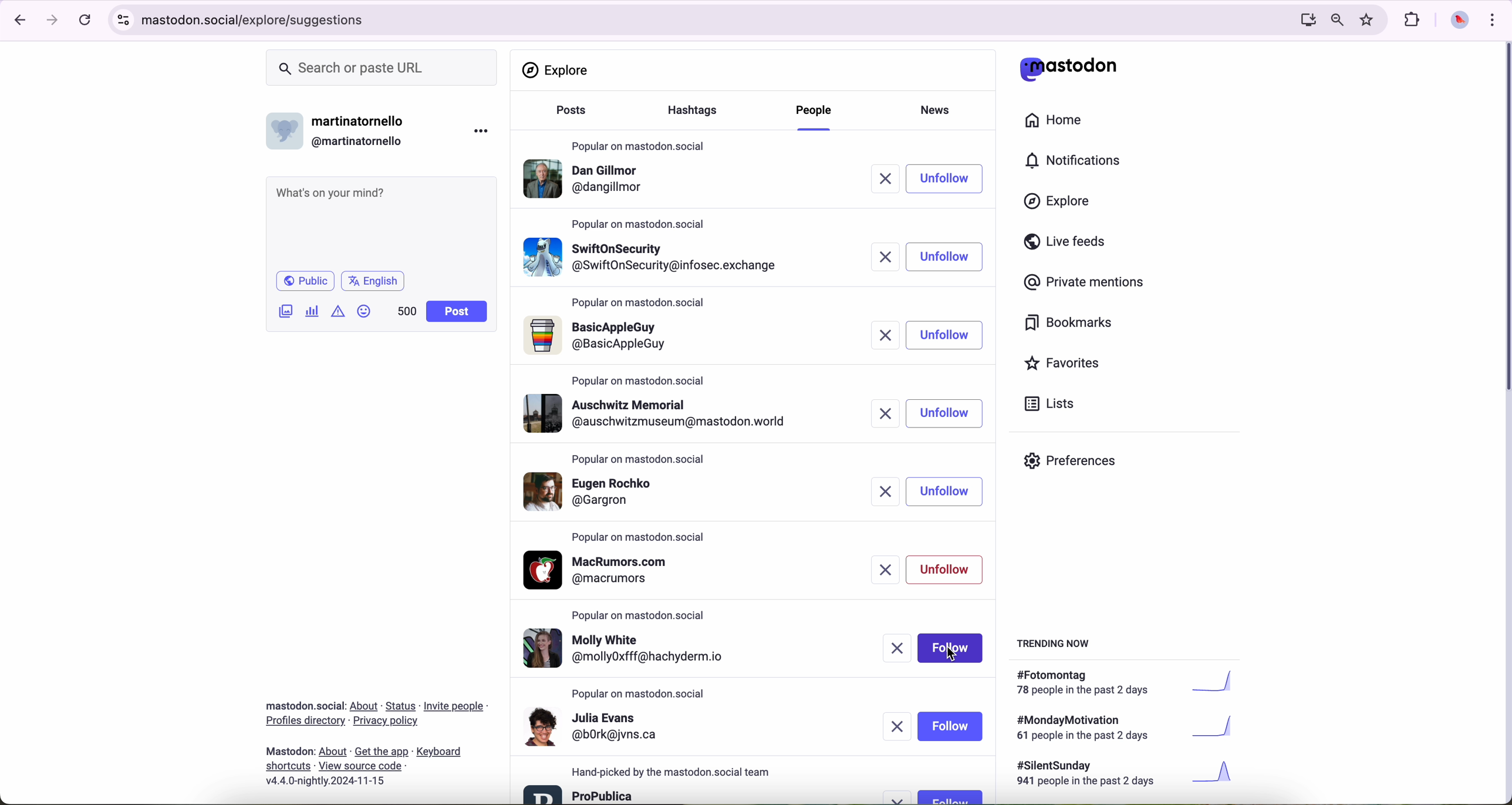 The image size is (1512, 805). What do you see at coordinates (16, 19) in the screenshot?
I see `navigate back` at bounding box center [16, 19].